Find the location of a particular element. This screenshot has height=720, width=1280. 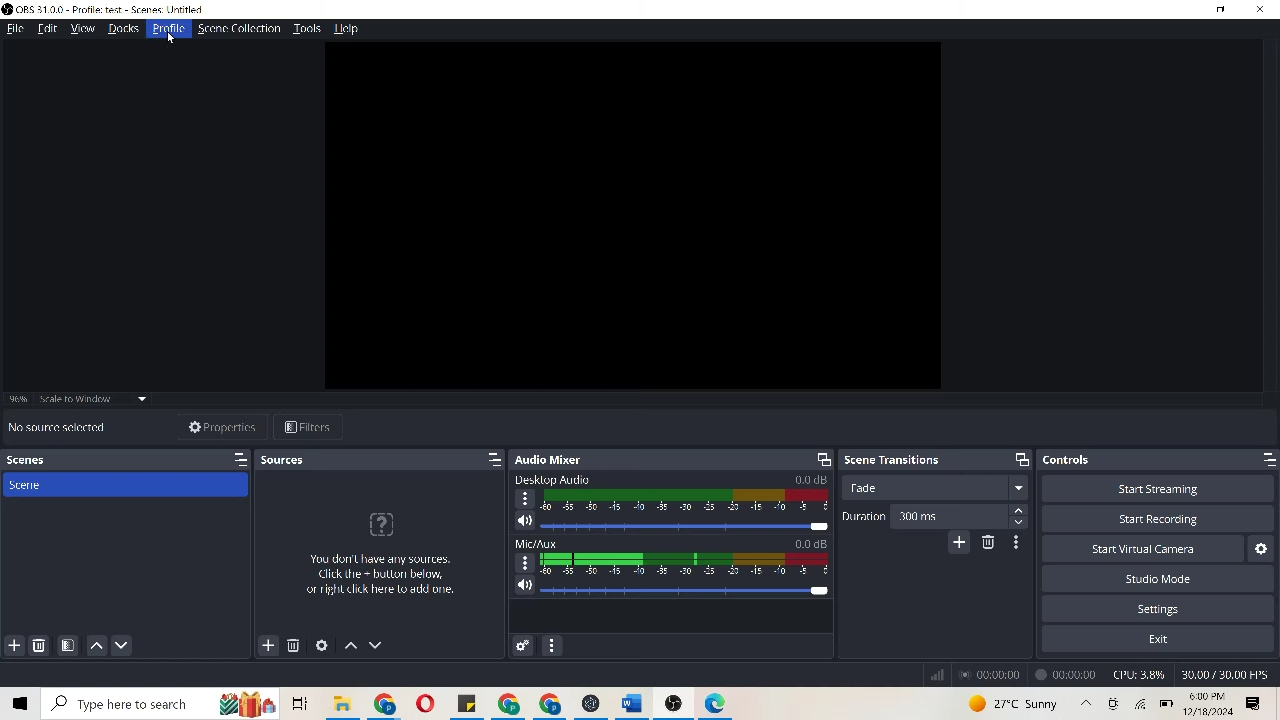

options is located at coordinates (524, 498).